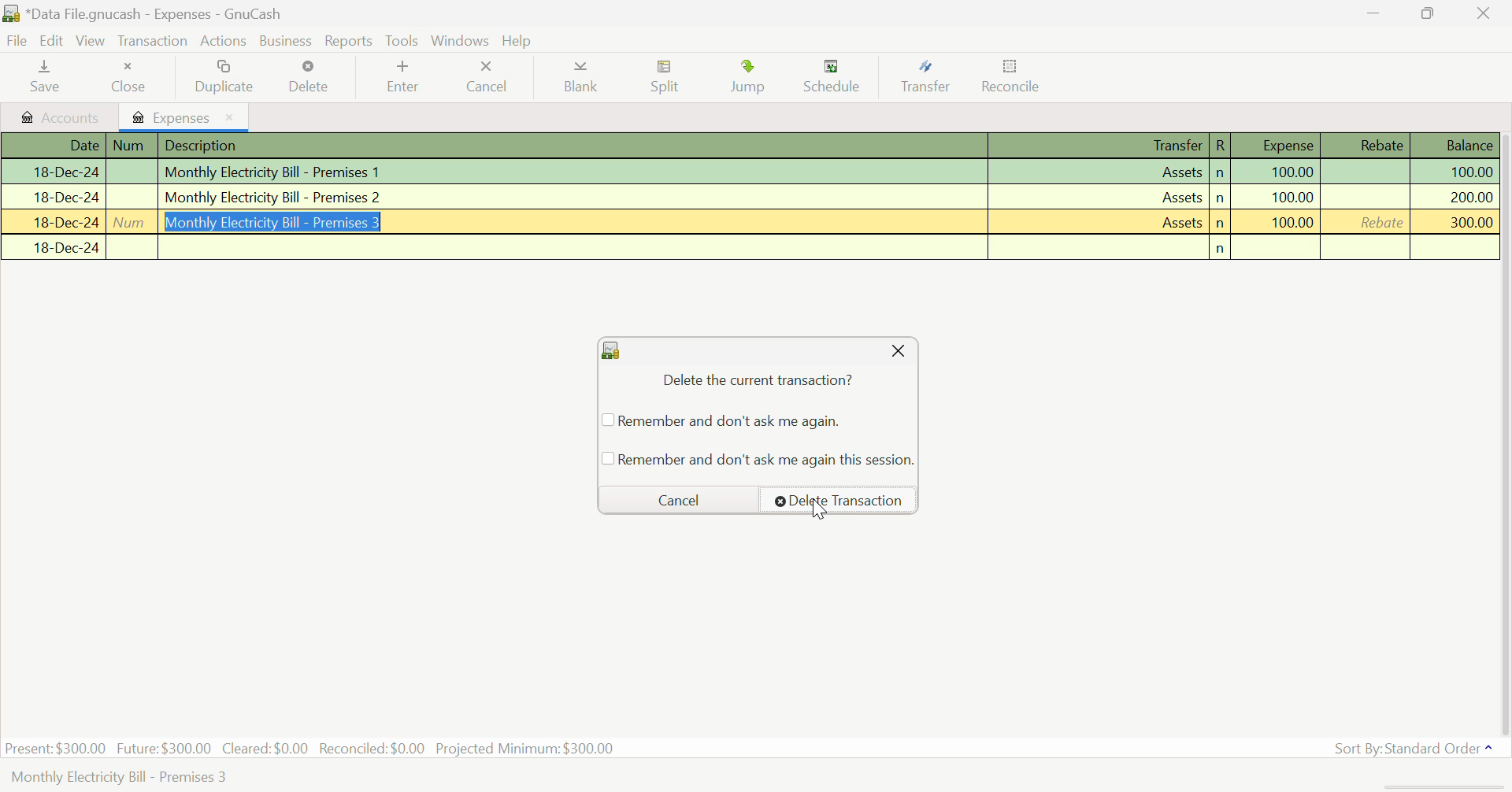 The width and height of the screenshot is (1512, 792). Describe the element at coordinates (460, 40) in the screenshot. I see `Windows` at that location.